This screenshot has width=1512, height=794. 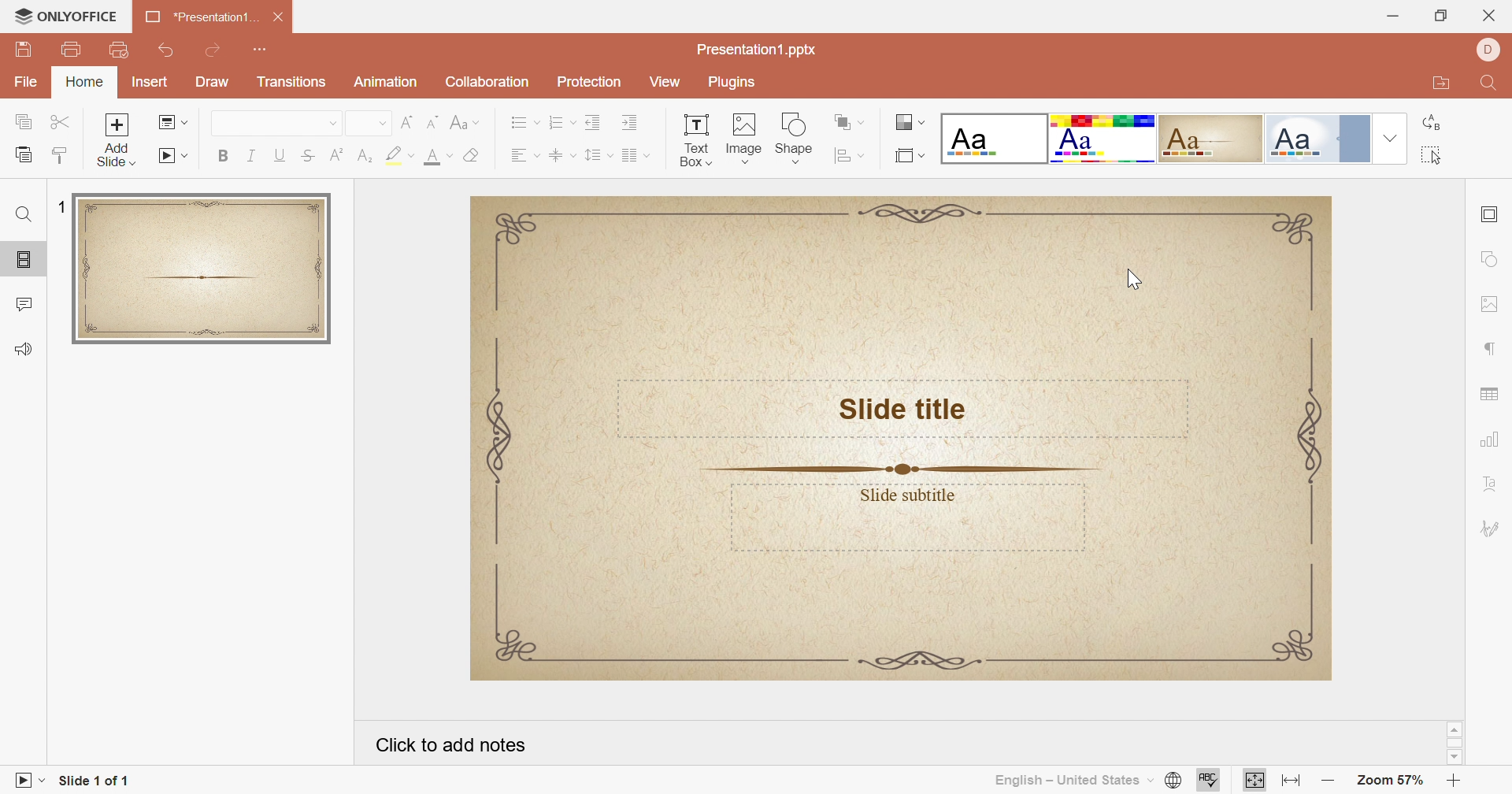 I want to click on Drop Down, so click(x=575, y=155).